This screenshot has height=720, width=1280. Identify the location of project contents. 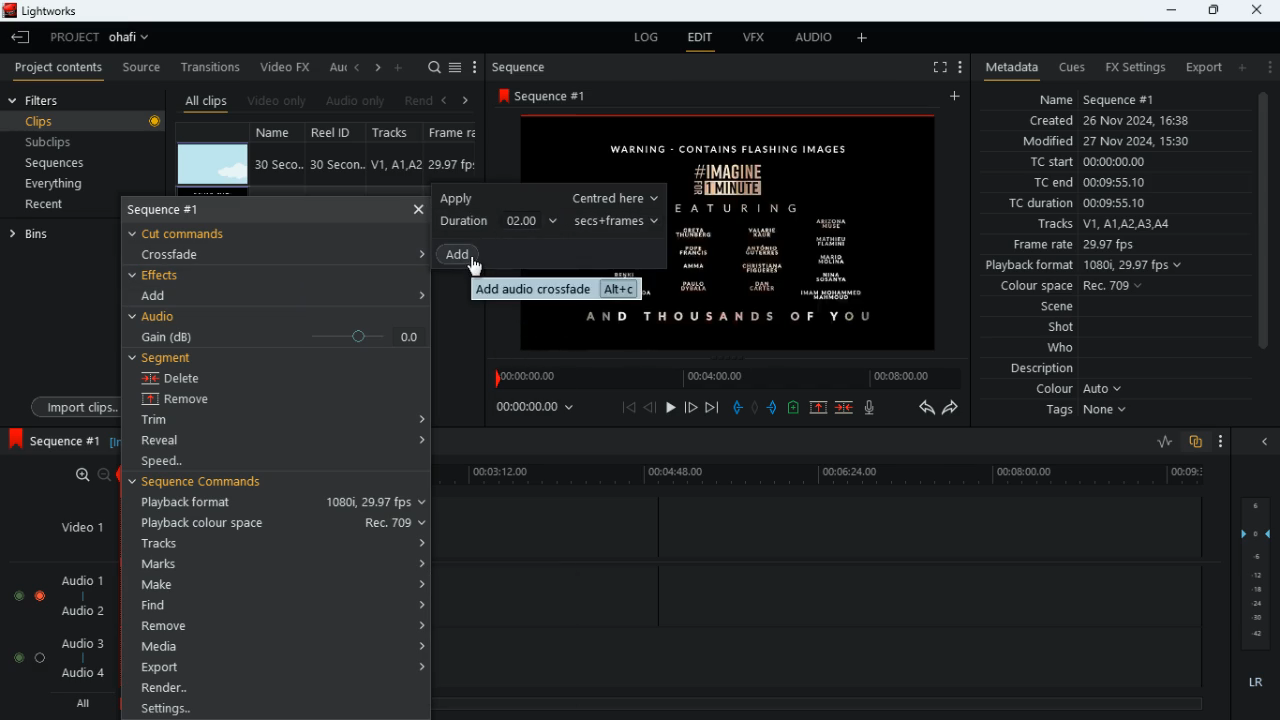
(59, 67).